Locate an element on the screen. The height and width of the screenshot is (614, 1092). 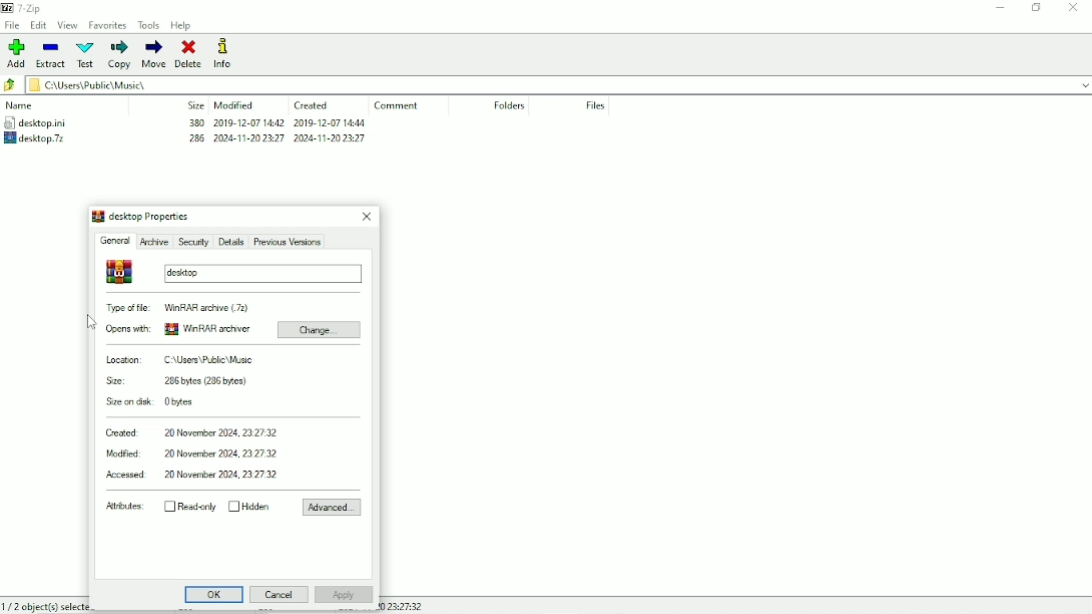
Apply is located at coordinates (343, 595).